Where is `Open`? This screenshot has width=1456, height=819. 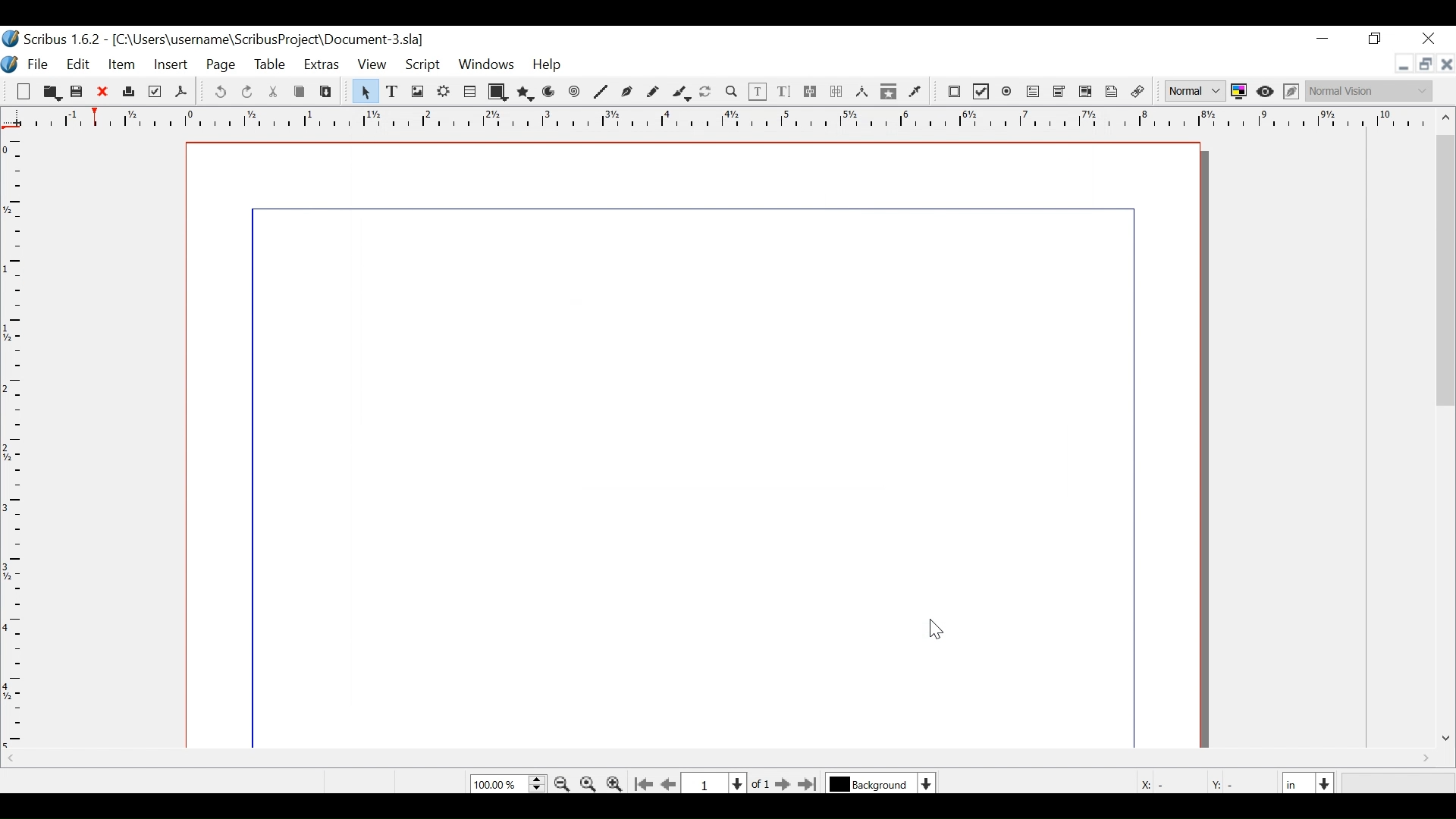 Open is located at coordinates (52, 95).